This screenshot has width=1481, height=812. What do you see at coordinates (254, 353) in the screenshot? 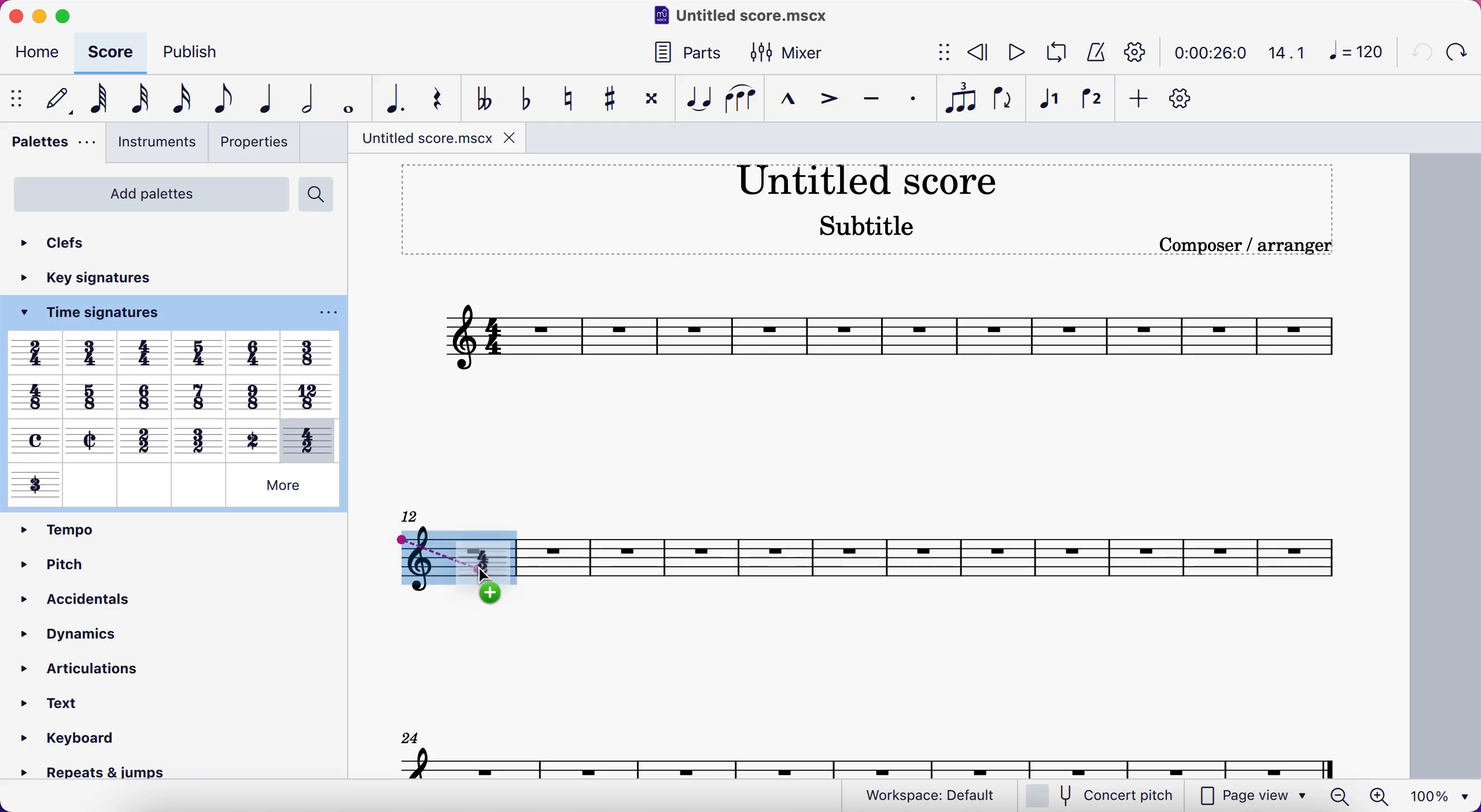
I see `` at bounding box center [254, 353].